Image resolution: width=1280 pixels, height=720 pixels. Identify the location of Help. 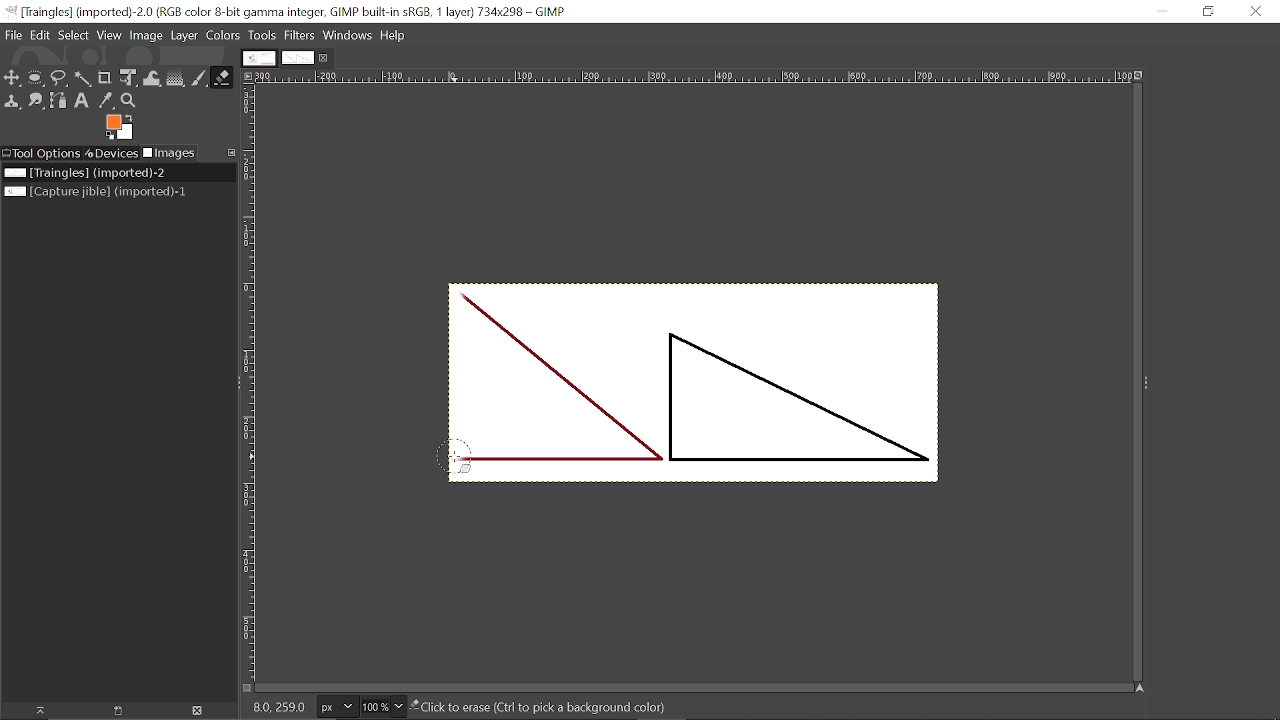
(394, 35).